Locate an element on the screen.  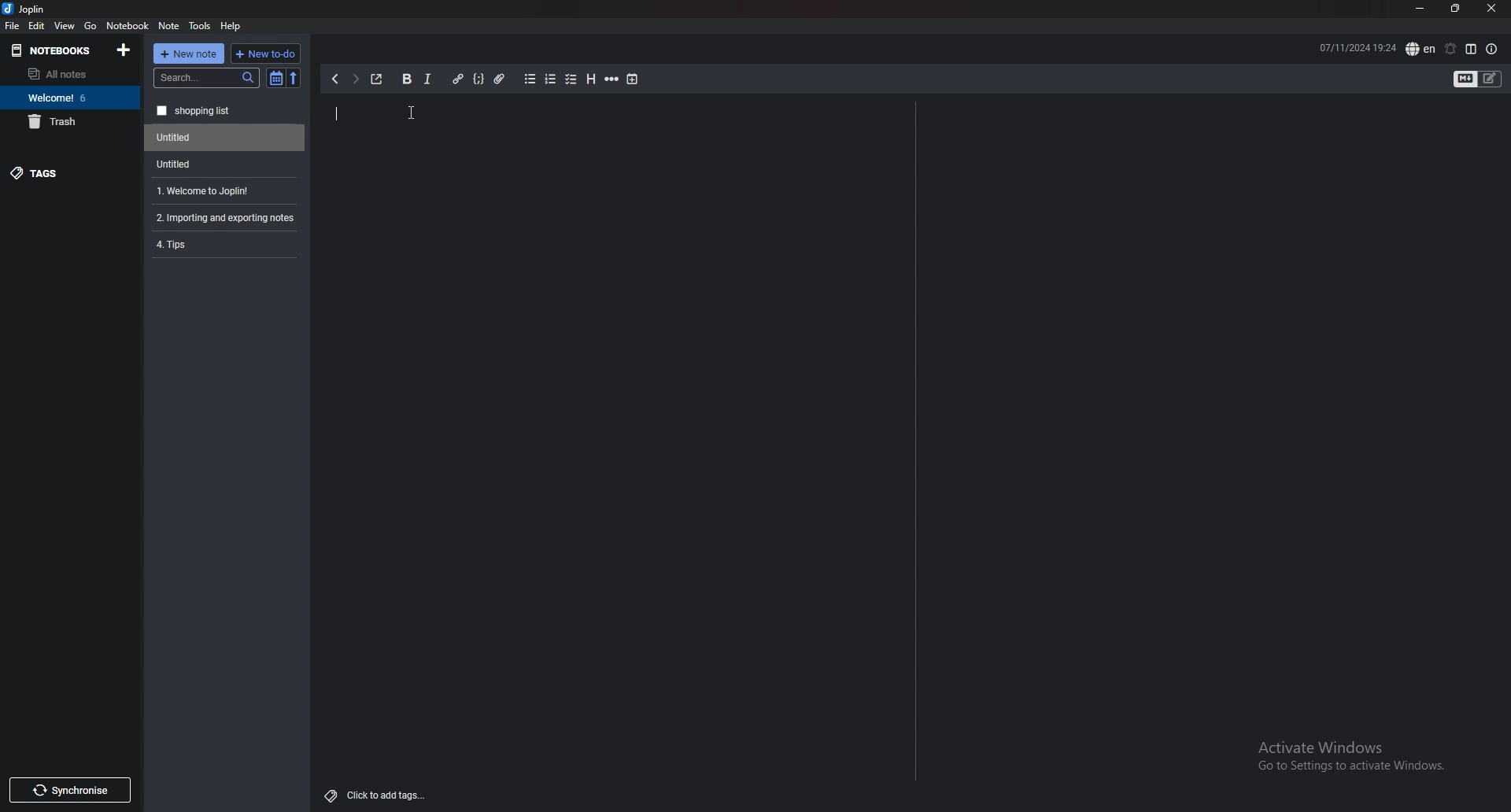
new todo is located at coordinates (264, 54).